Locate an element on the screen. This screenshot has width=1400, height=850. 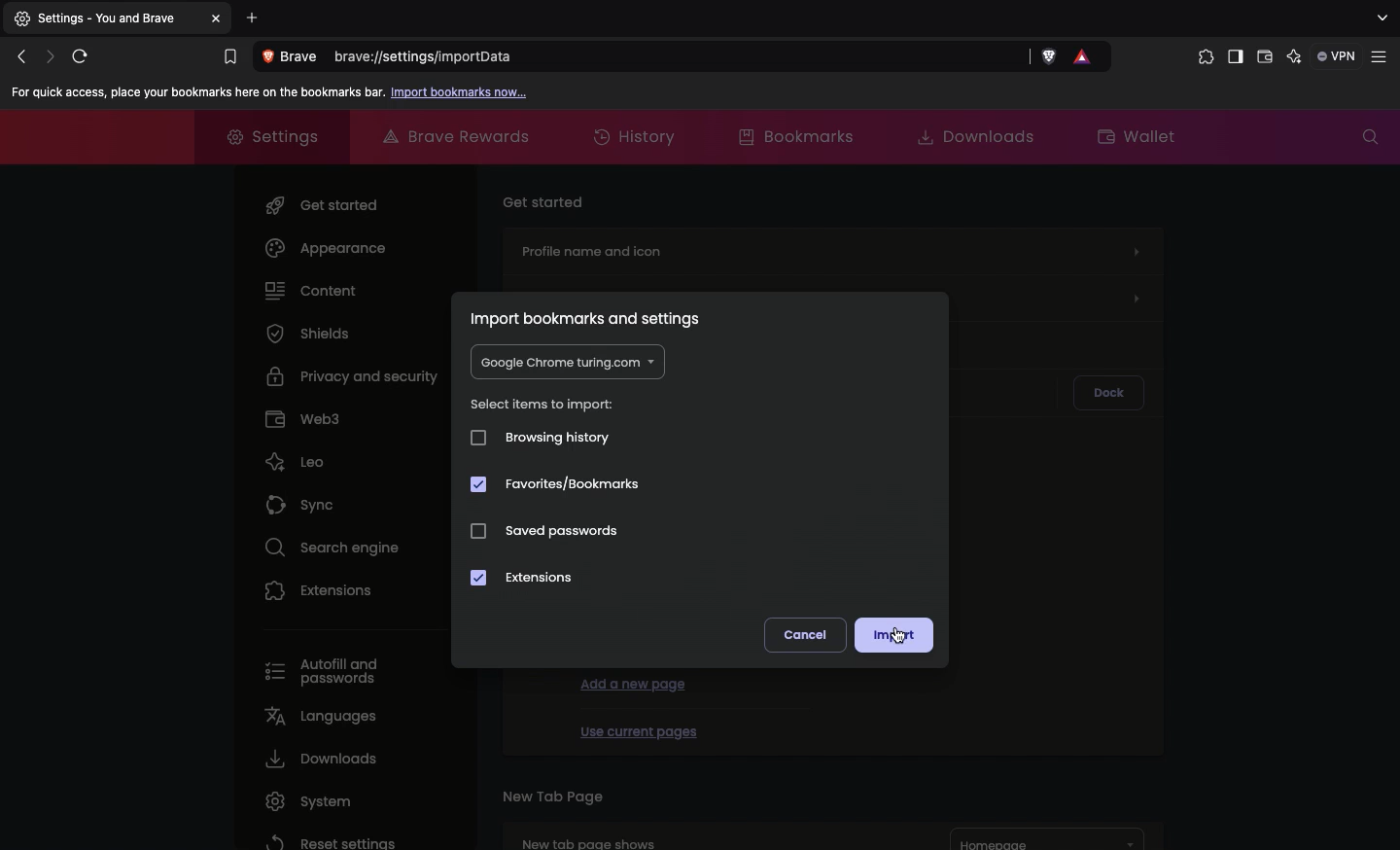
search tabs is located at coordinates (1381, 18).